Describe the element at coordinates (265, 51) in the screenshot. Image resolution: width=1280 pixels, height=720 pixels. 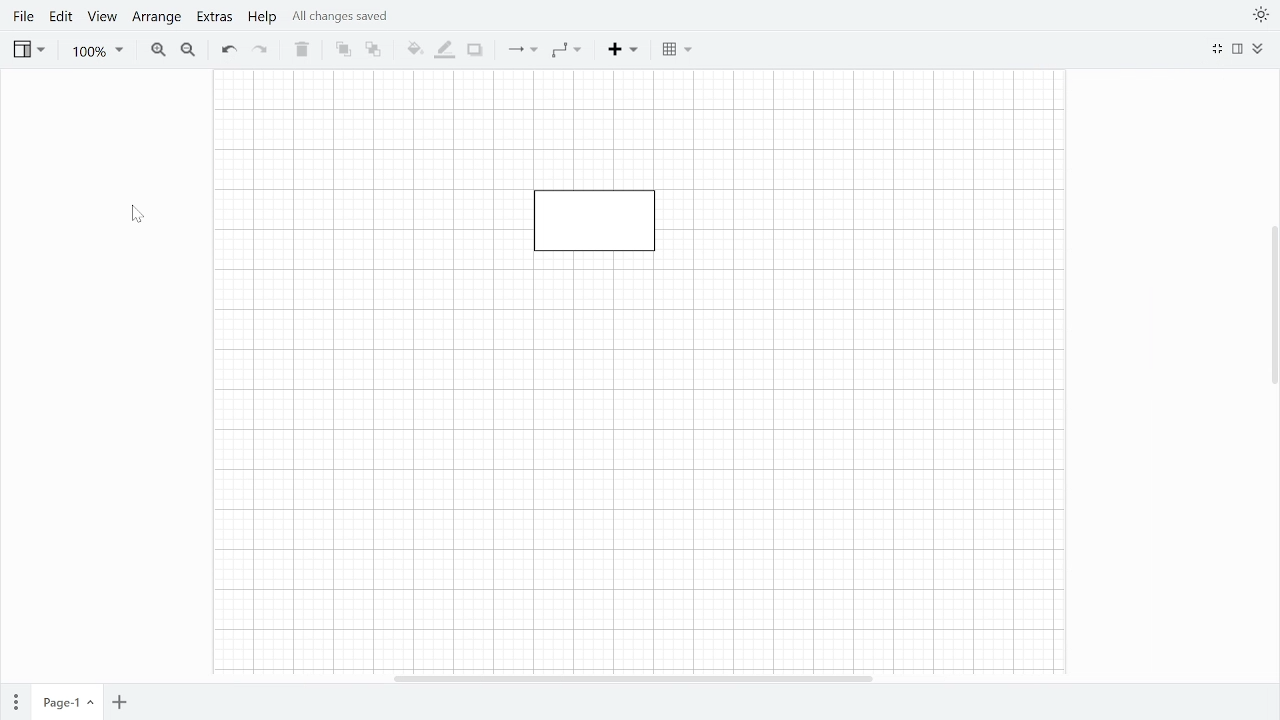
I see `Redo` at that location.